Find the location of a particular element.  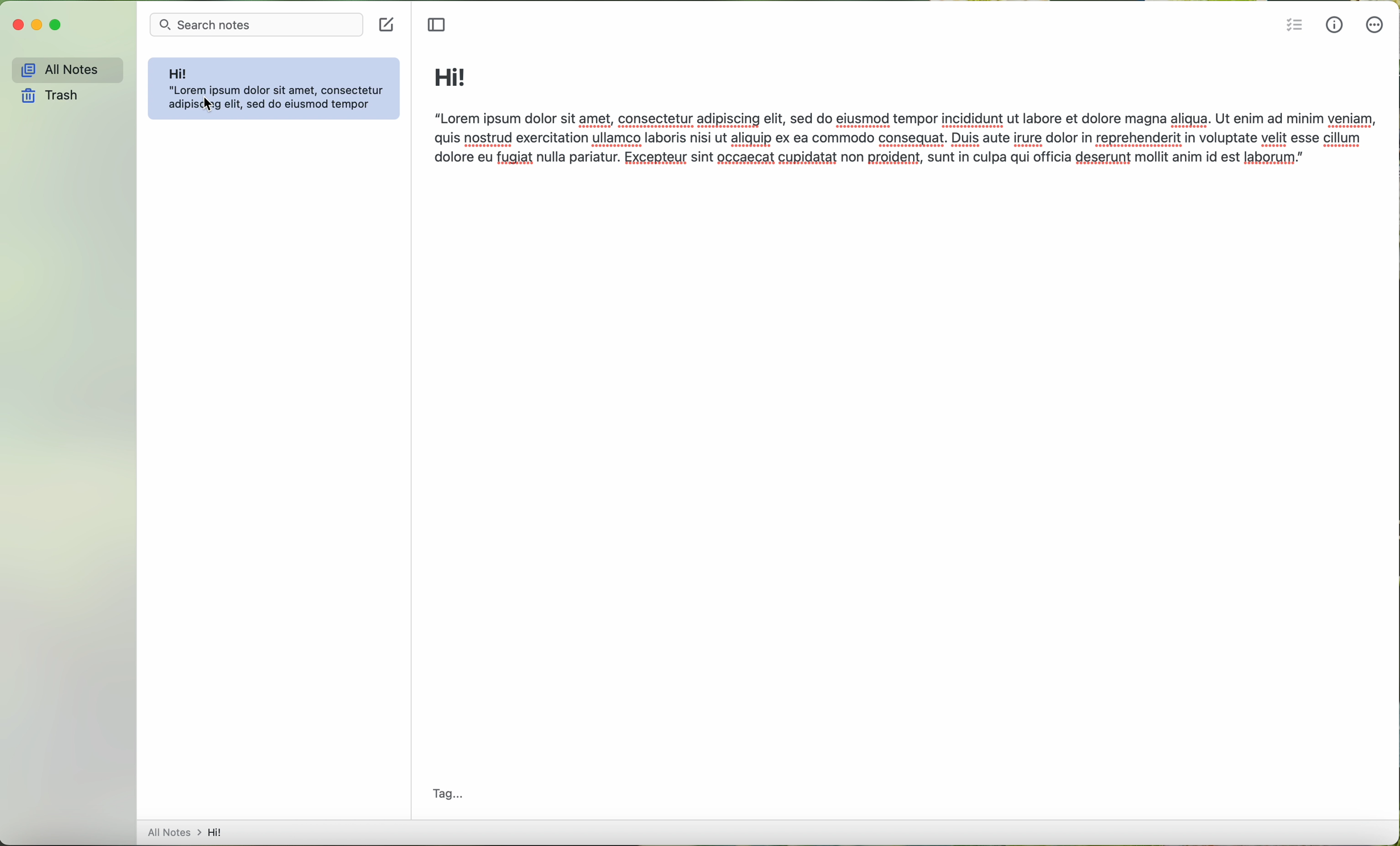

tag is located at coordinates (449, 792).